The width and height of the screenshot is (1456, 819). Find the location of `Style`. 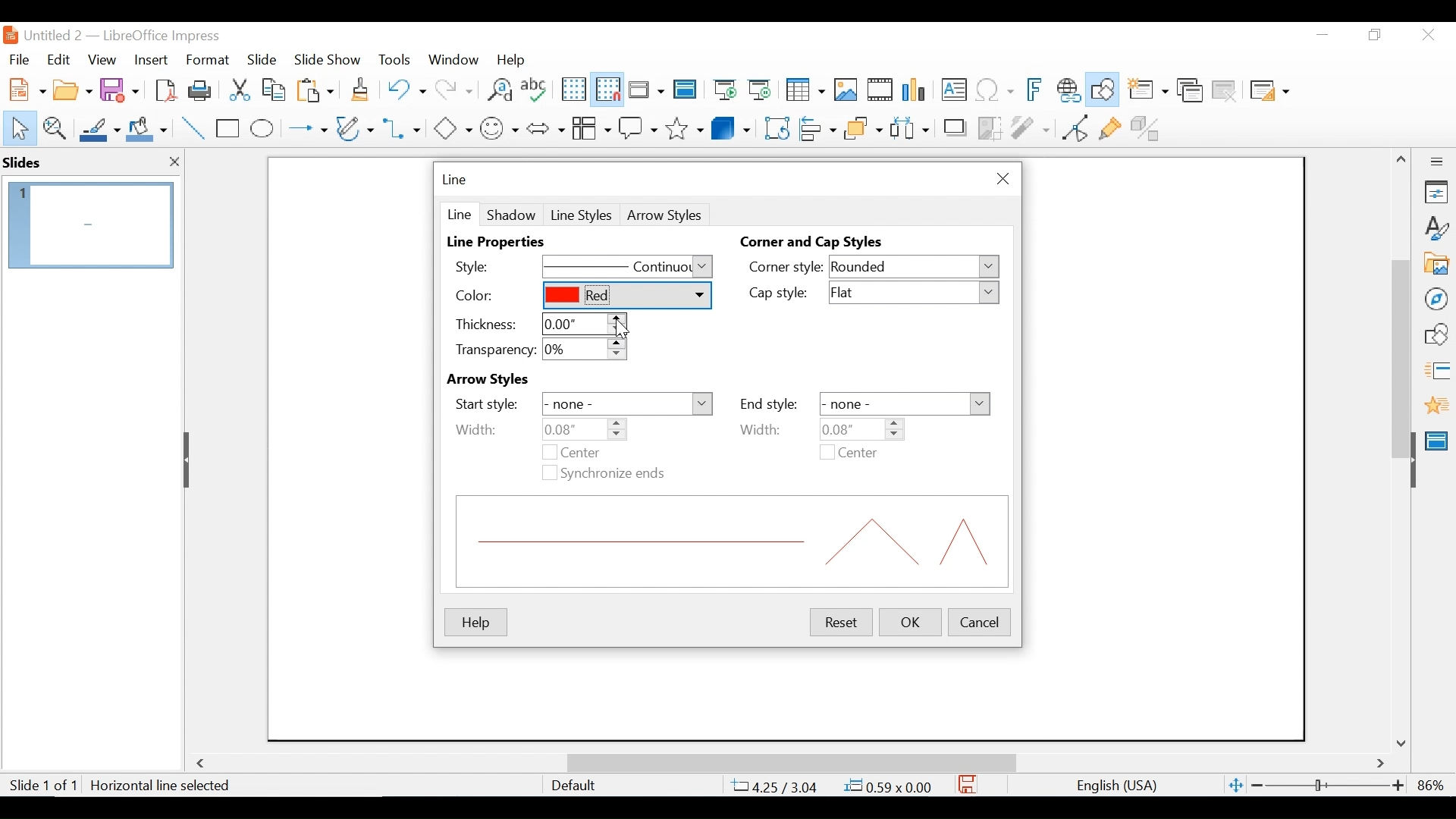

Style is located at coordinates (488, 265).